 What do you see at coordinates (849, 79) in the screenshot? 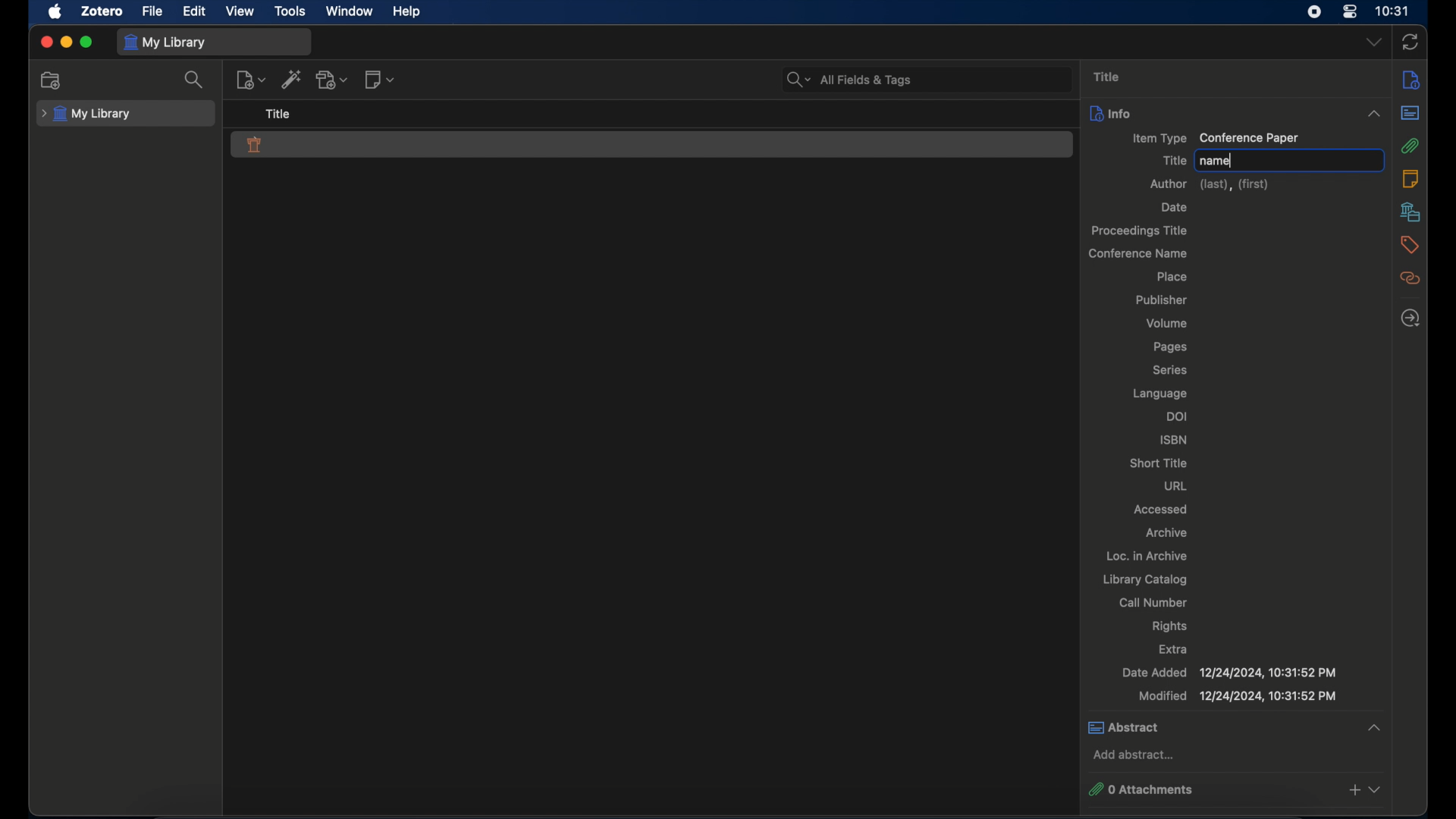
I see `all fields & tags` at bounding box center [849, 79].